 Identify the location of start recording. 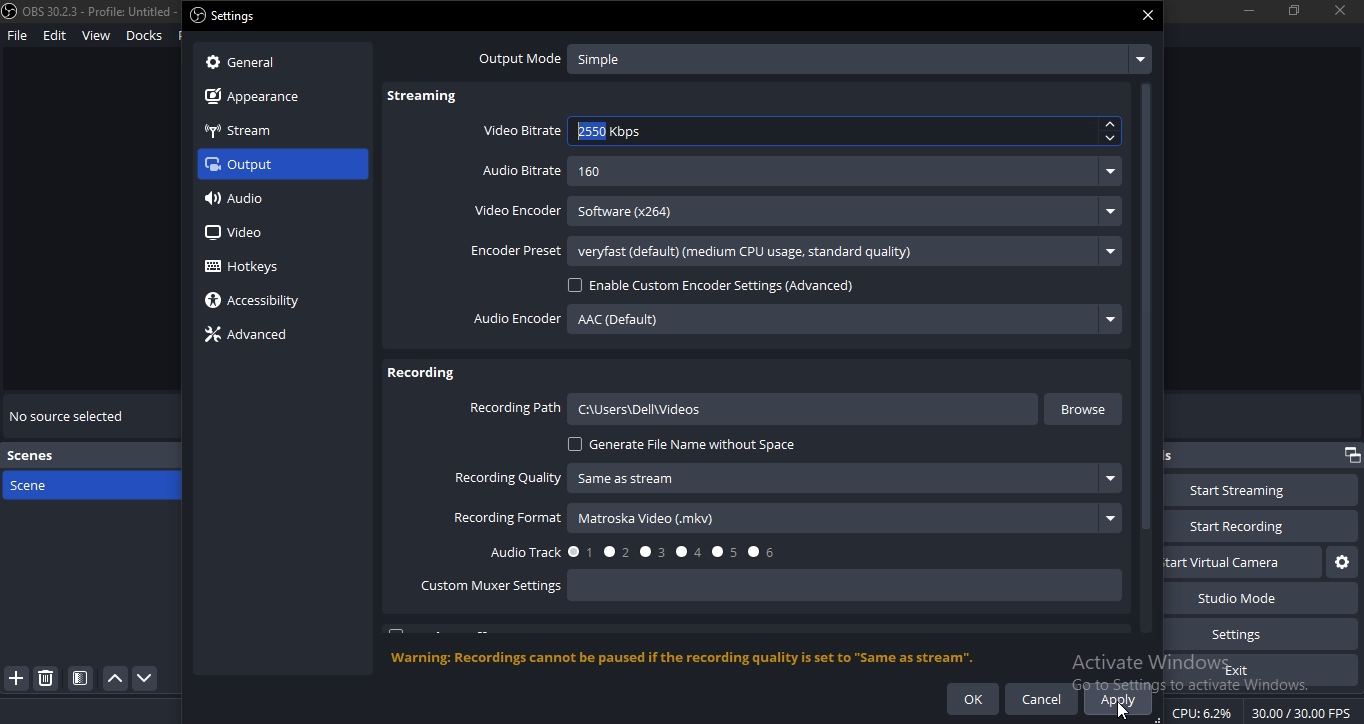
(1259, 524).